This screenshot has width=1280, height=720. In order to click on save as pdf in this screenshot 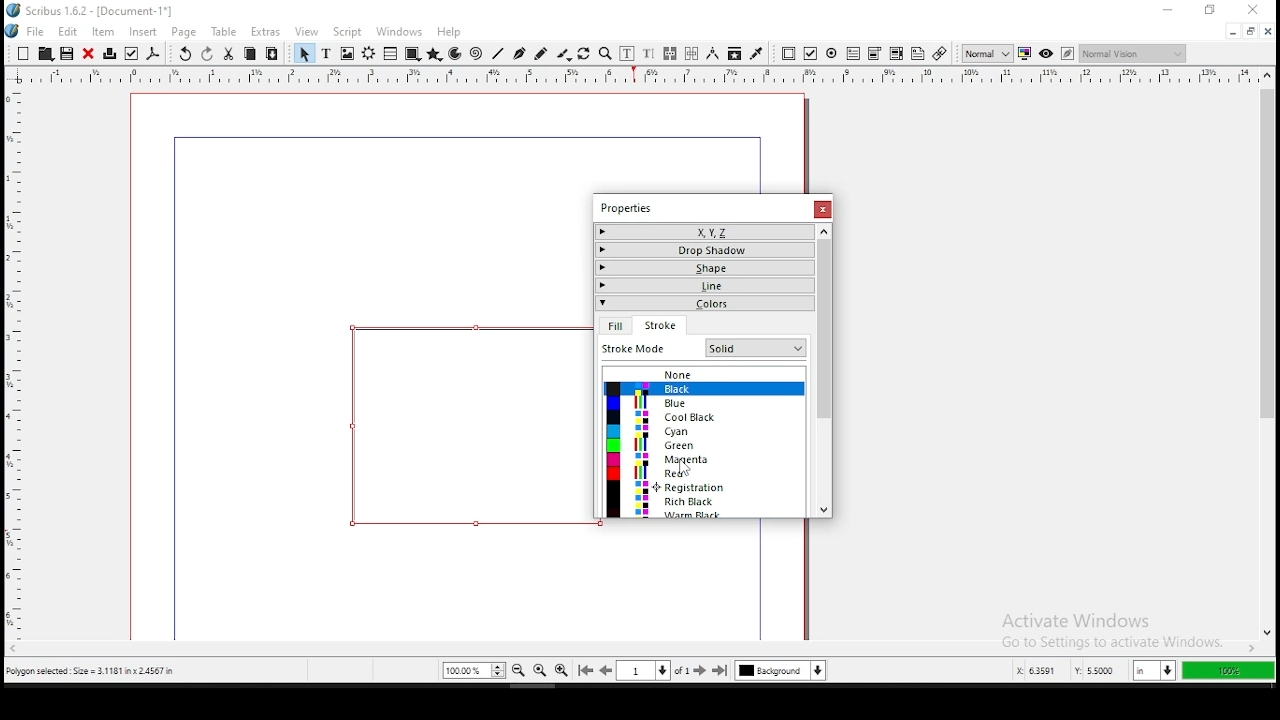, I will do `click(153, 54)`.